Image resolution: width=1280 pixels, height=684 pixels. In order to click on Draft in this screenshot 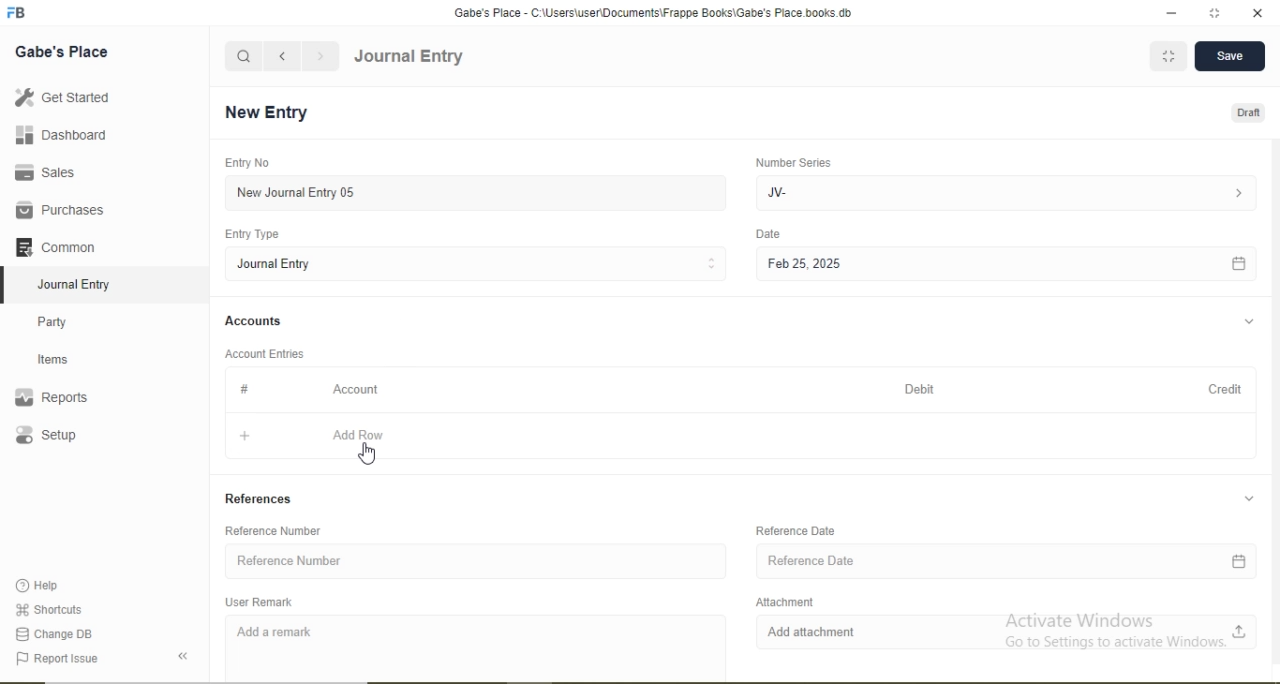, I will do `click(1250, 114)`.